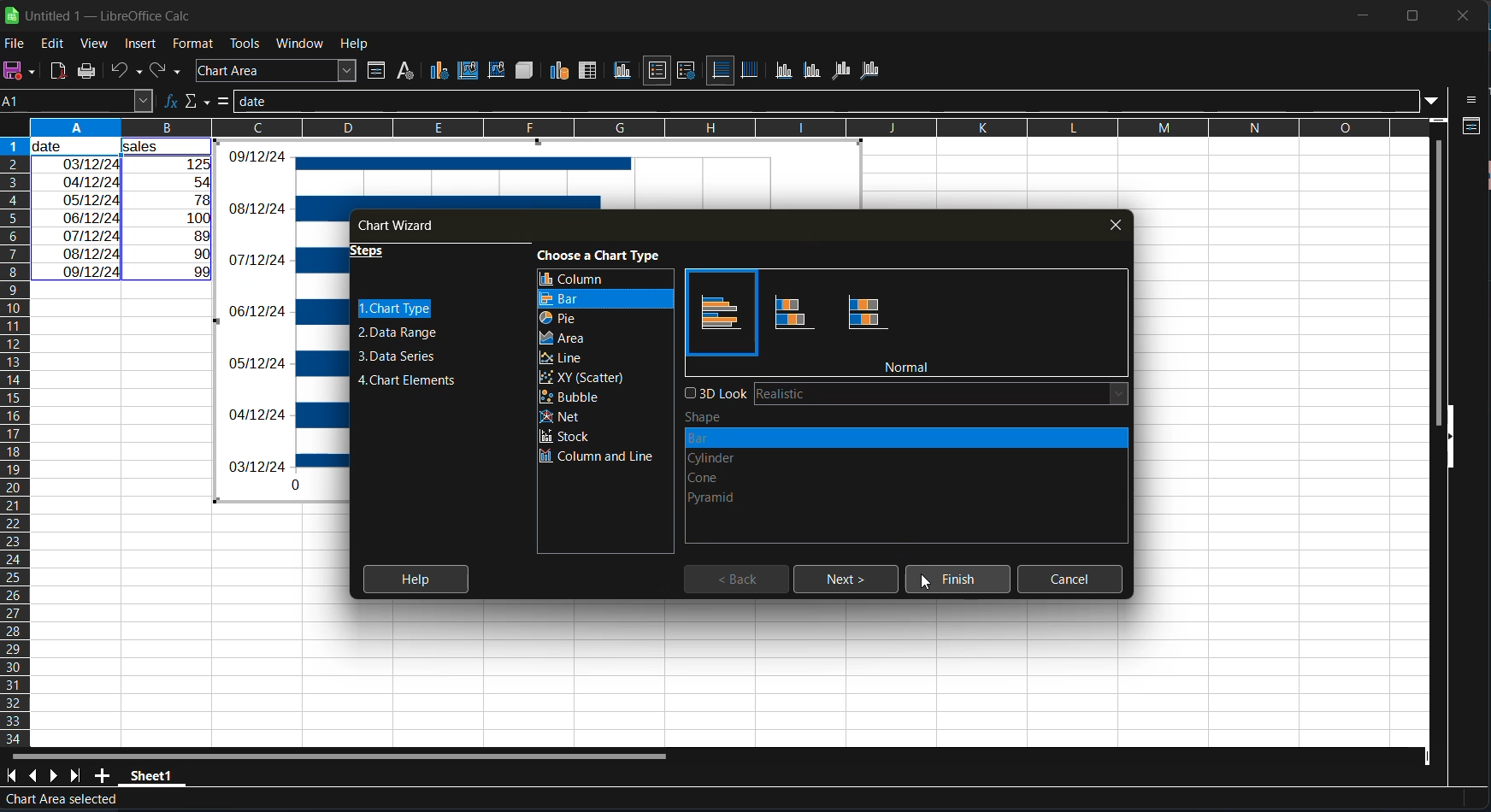 The height and width of the screenshot is (812, 1491). I want to click on data series, so click(404, 356).